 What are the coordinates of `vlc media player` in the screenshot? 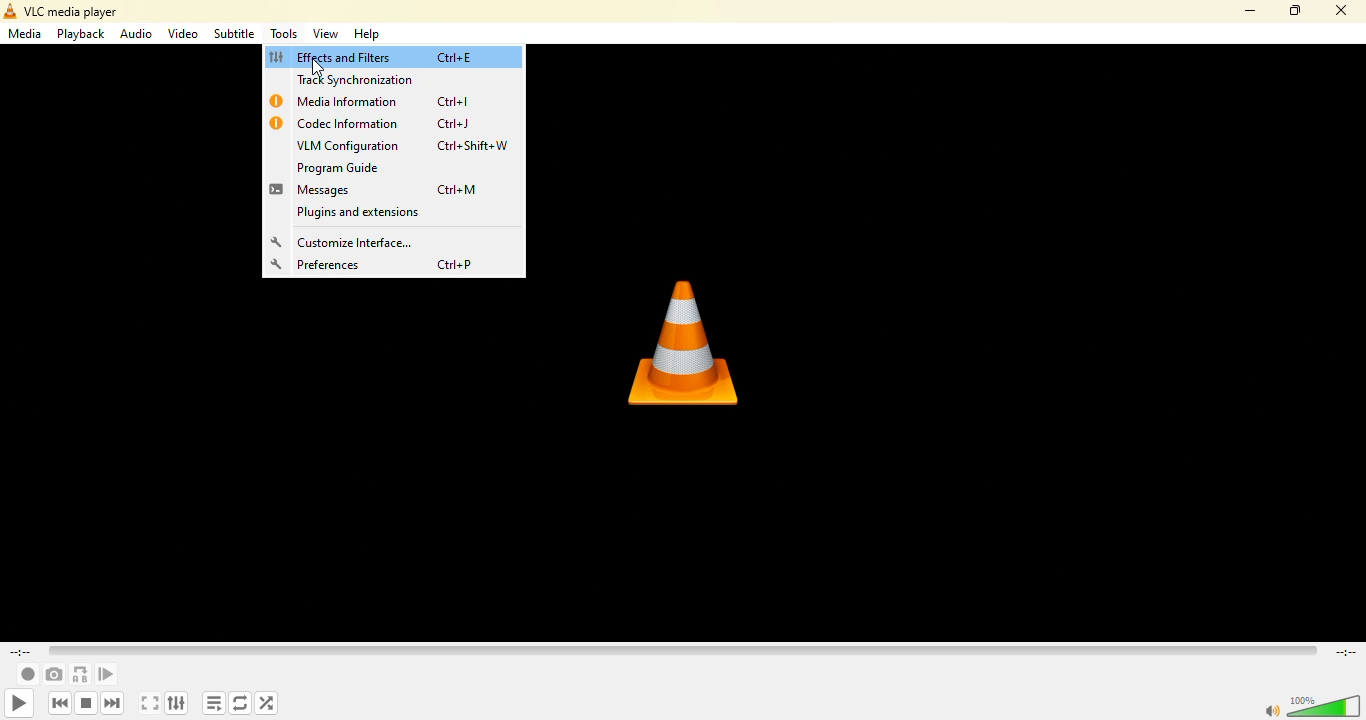 It's located at (61, 12).